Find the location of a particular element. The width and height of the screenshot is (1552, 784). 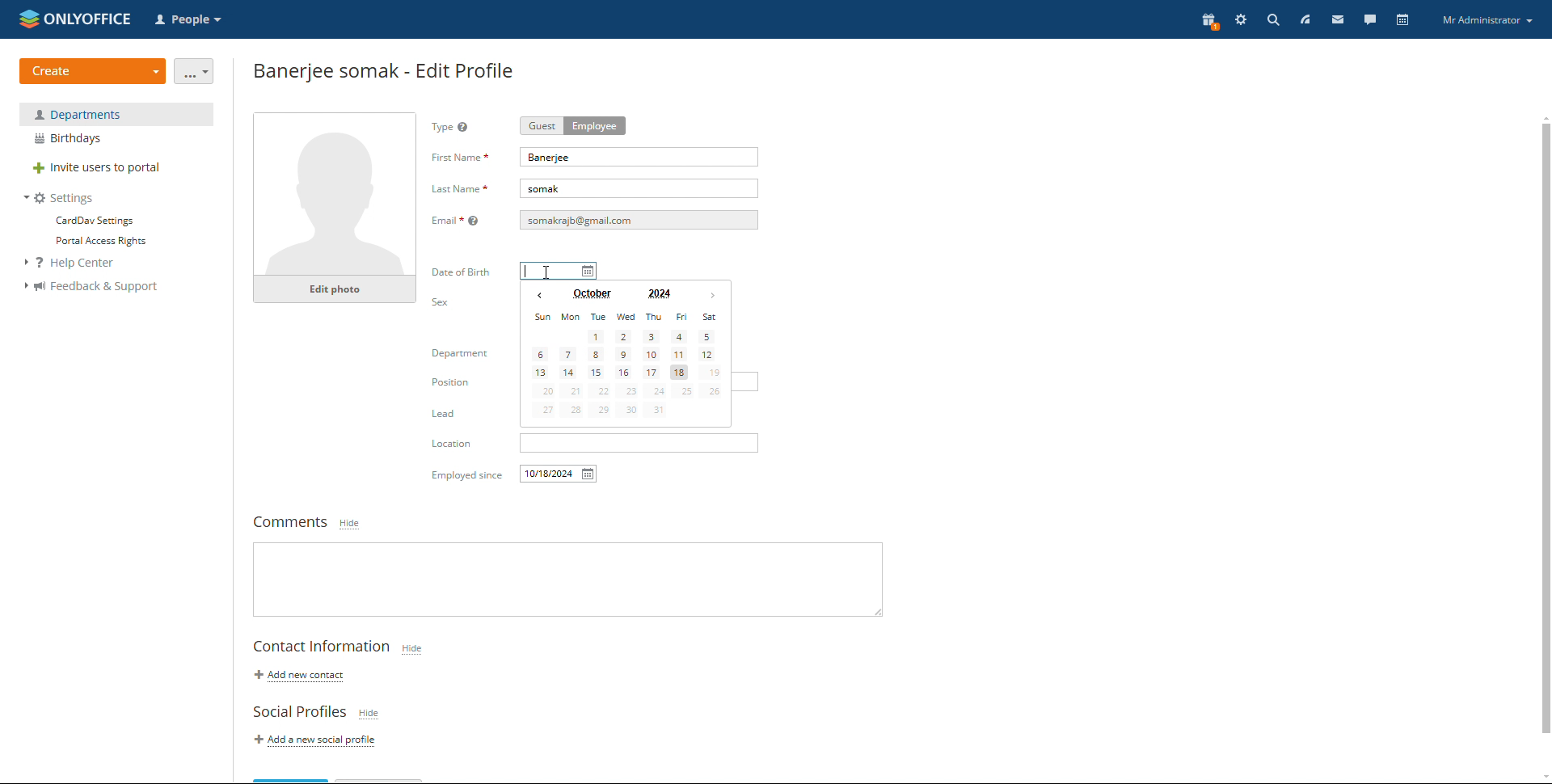

first name is located at coordinates (639, 158).